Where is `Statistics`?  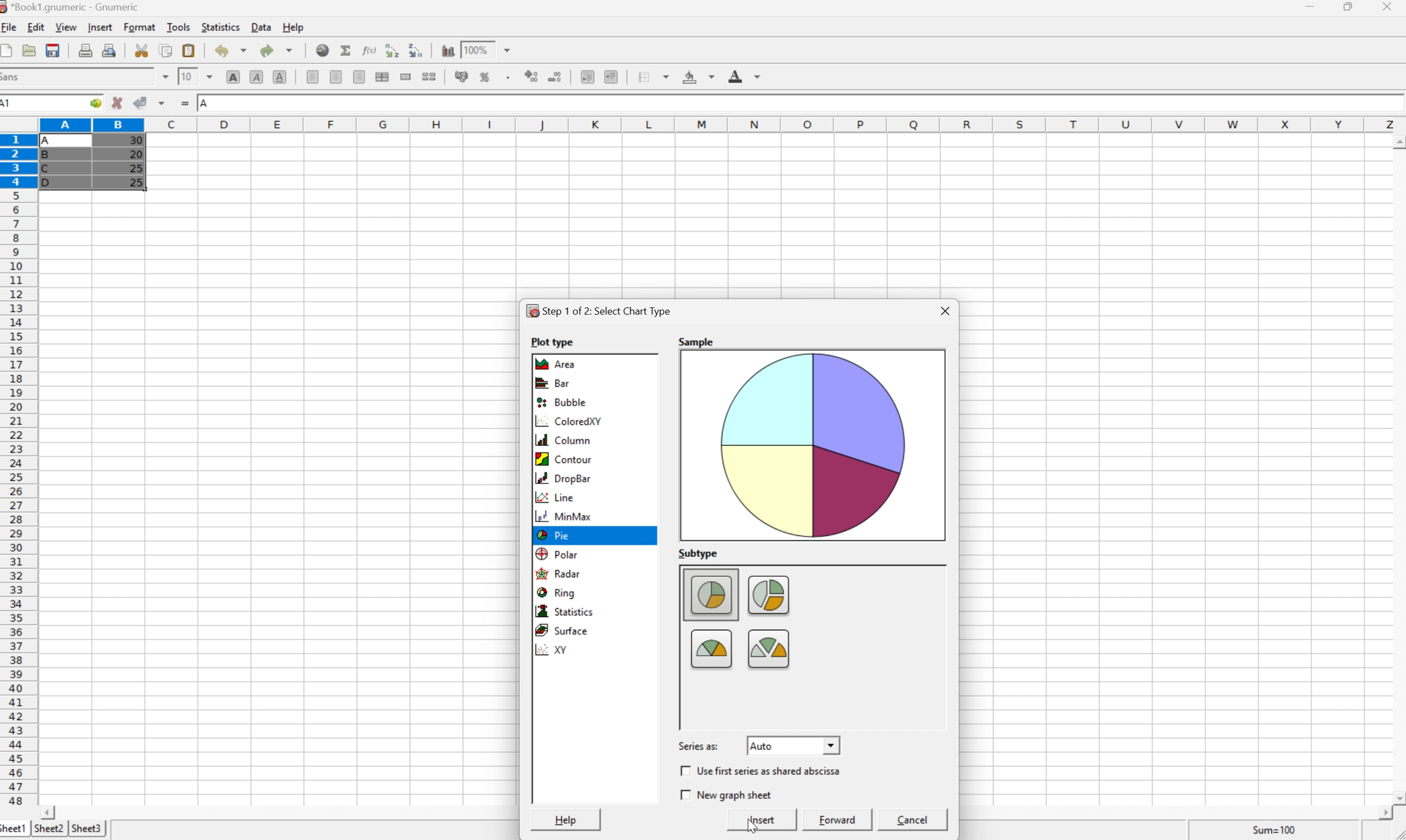 Statistics is located at coordinates (563, 611).